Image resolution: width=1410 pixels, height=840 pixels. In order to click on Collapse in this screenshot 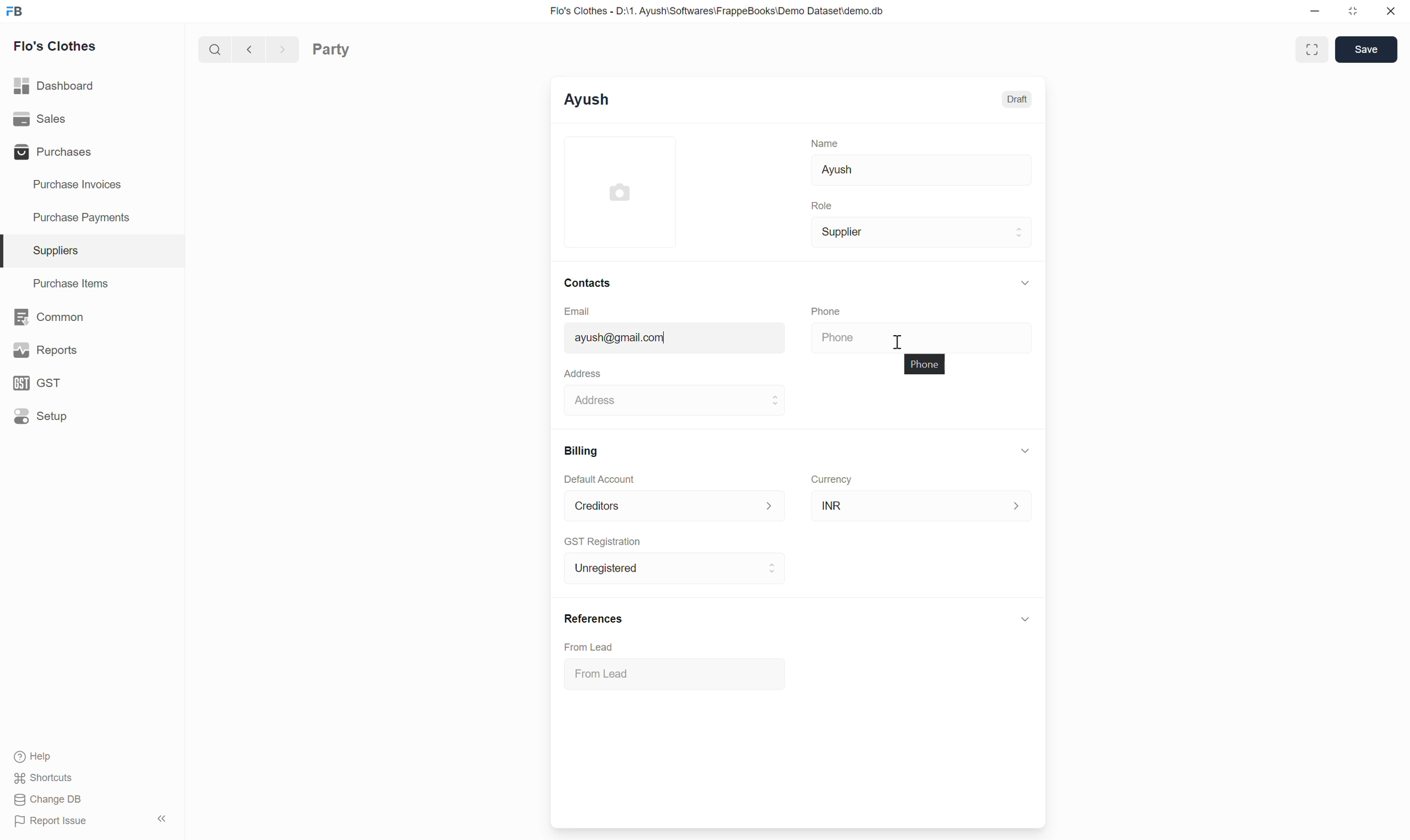, I will do `click(1025, 283)`.